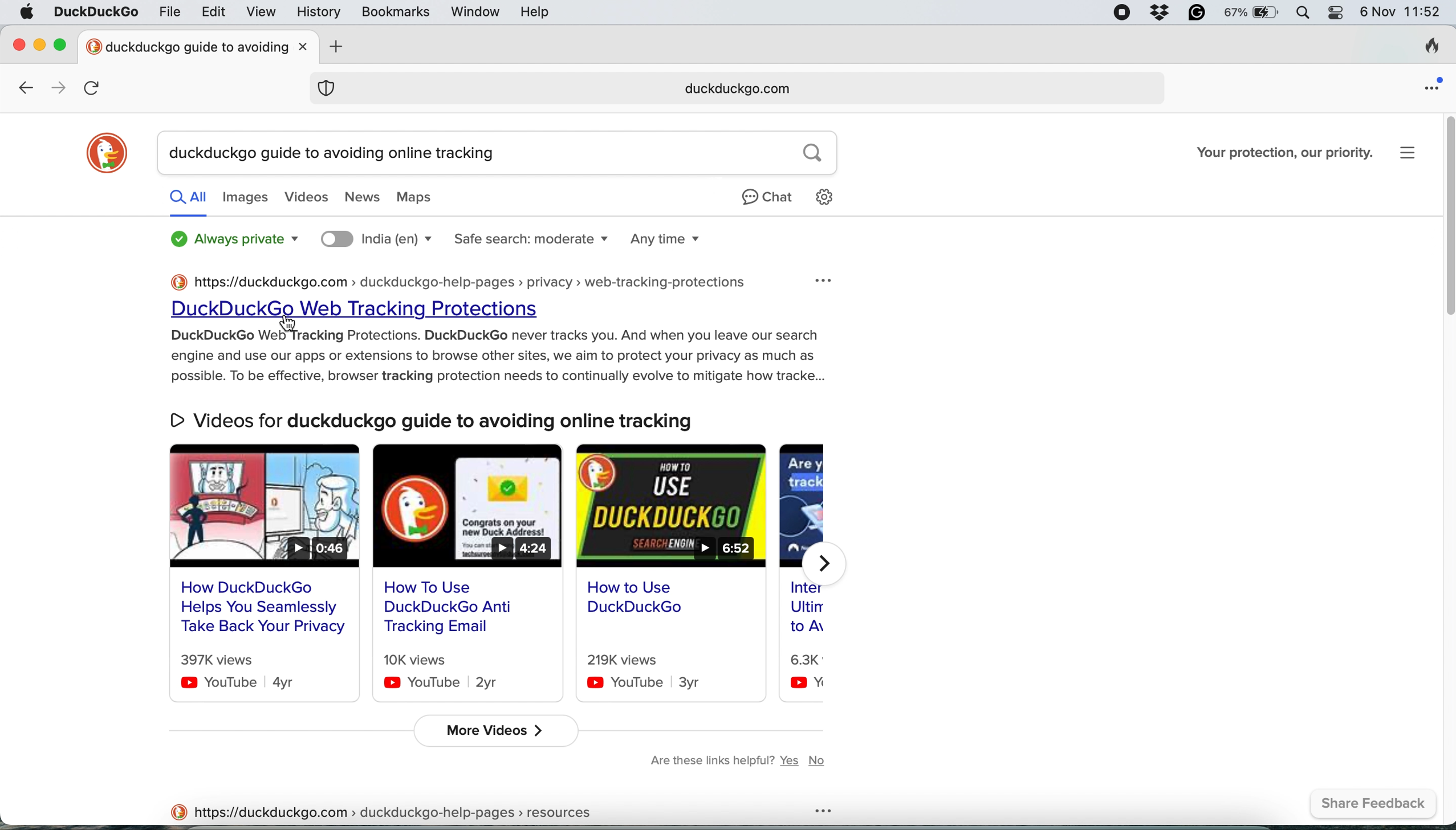 The height and width of the screenshot is (830, 1456). Describe the element at coordinates (108, 153) in the screenshot. I see `duckduckgo logo` at that location.